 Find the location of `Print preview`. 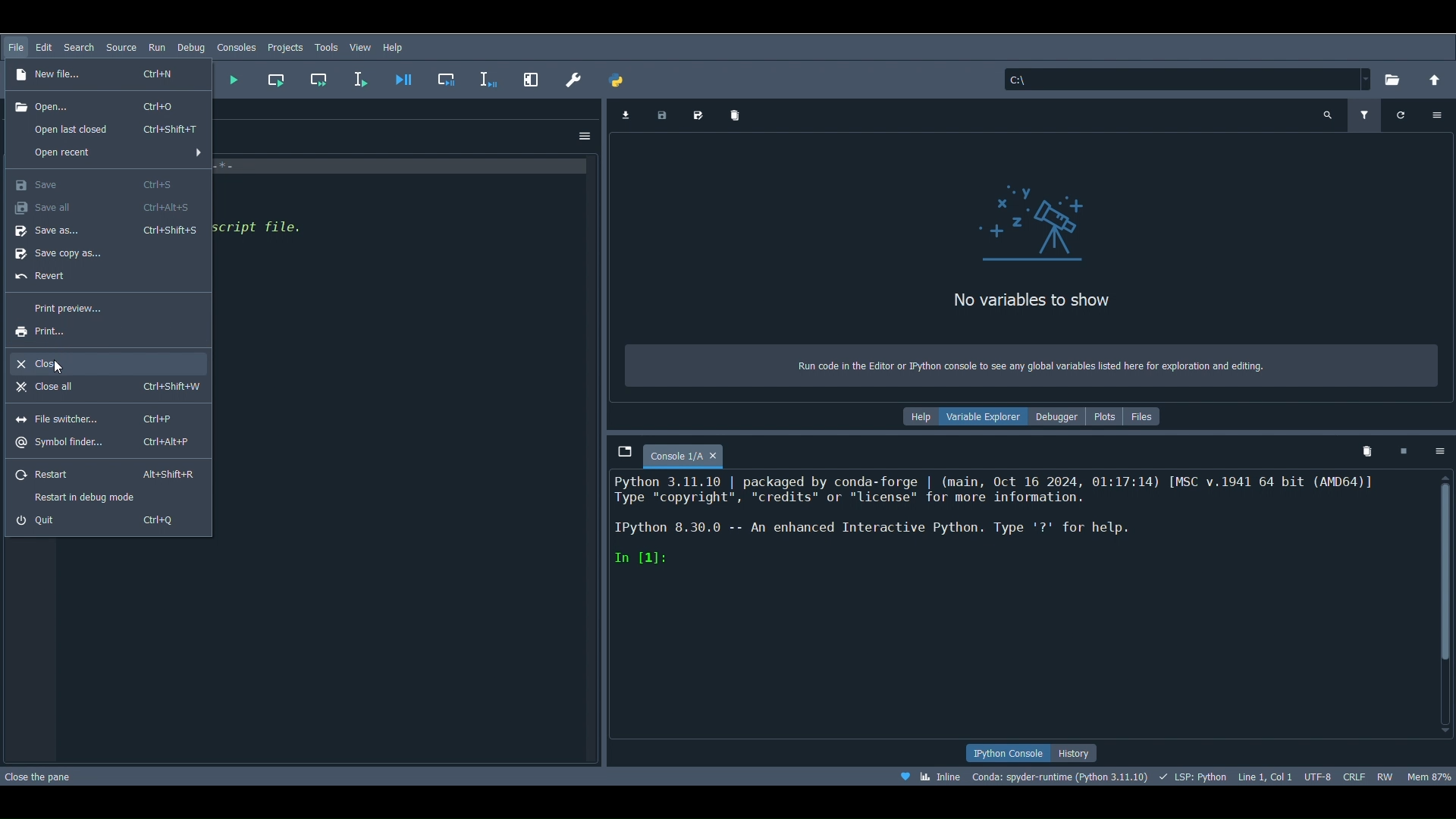

Print preview is located at coordinates (68, 308).